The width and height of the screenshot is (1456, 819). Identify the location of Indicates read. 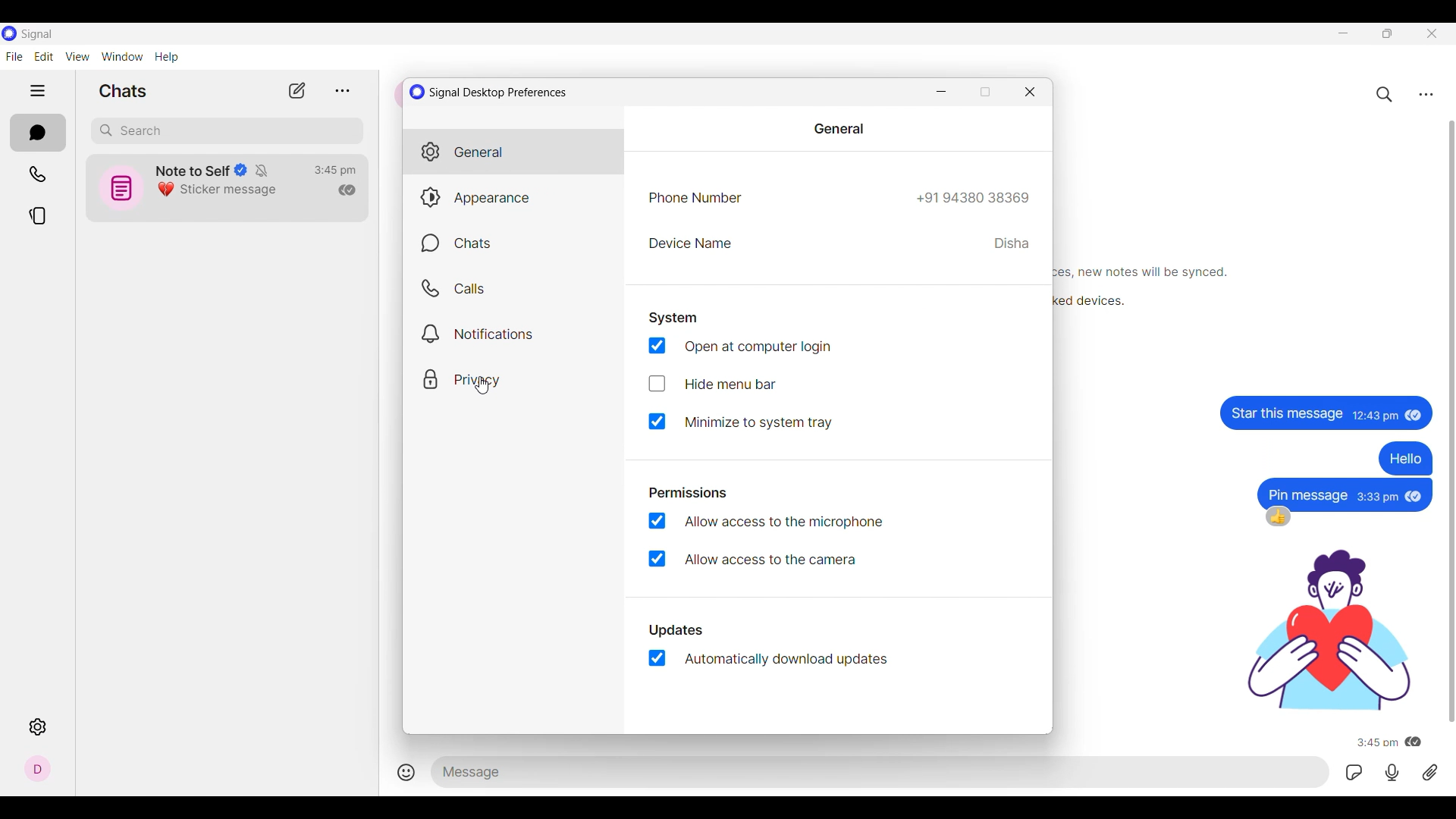
(347, 190).